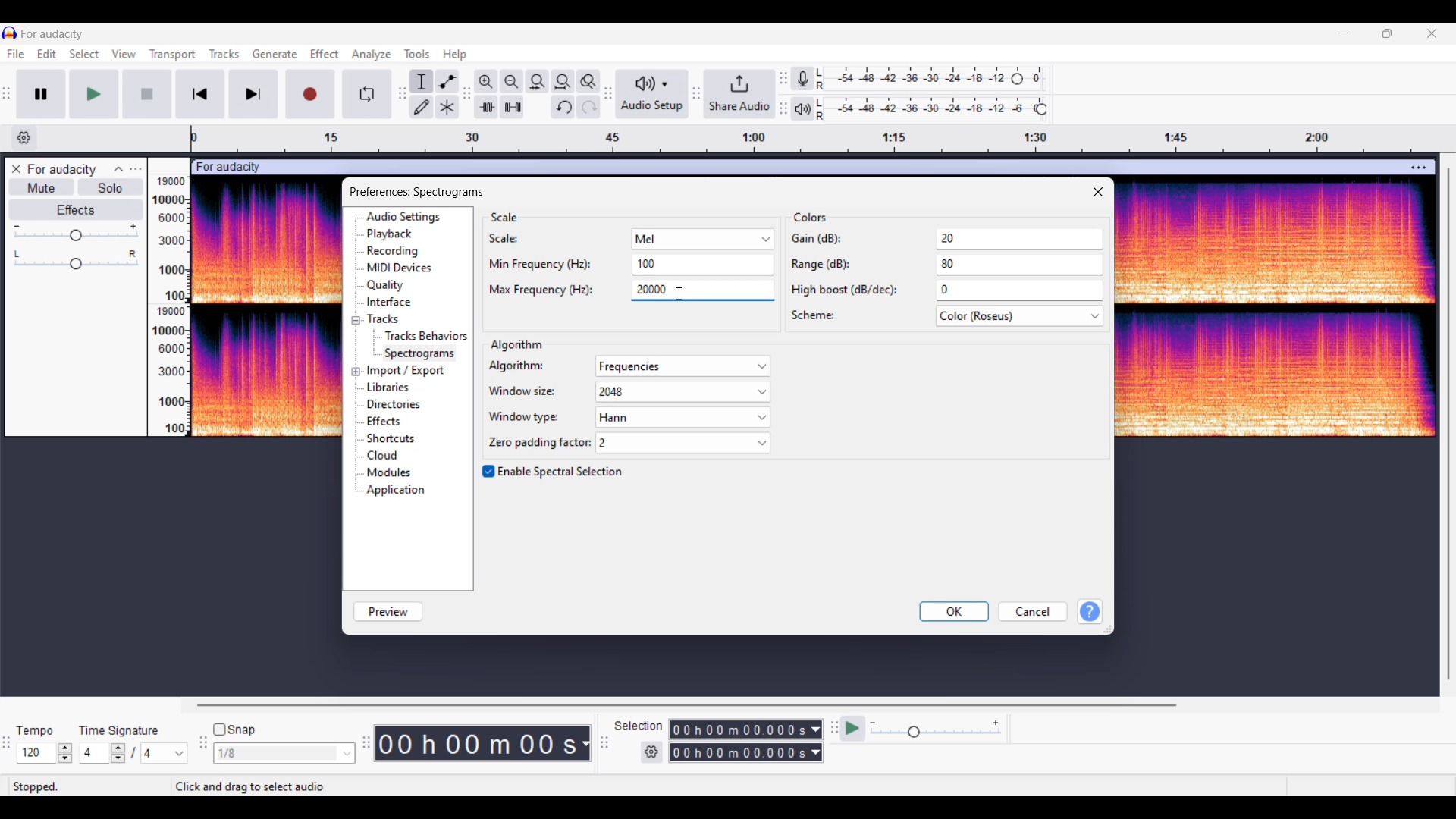 This screenshot has width=1456, height=819. What do you see at coordinates (118, 169) in the screenshot?
I see `Collapse` at bounding box center [118, 169].